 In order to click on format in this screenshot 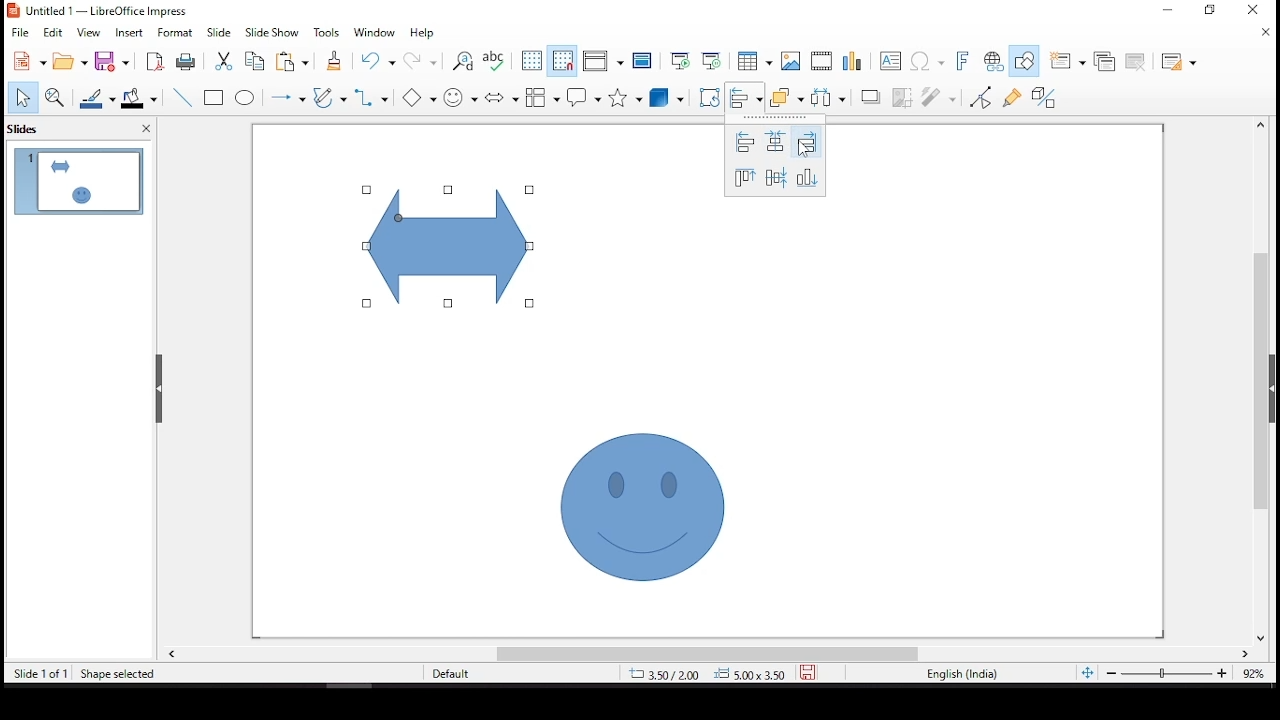, I will do `click(178, 33)`.